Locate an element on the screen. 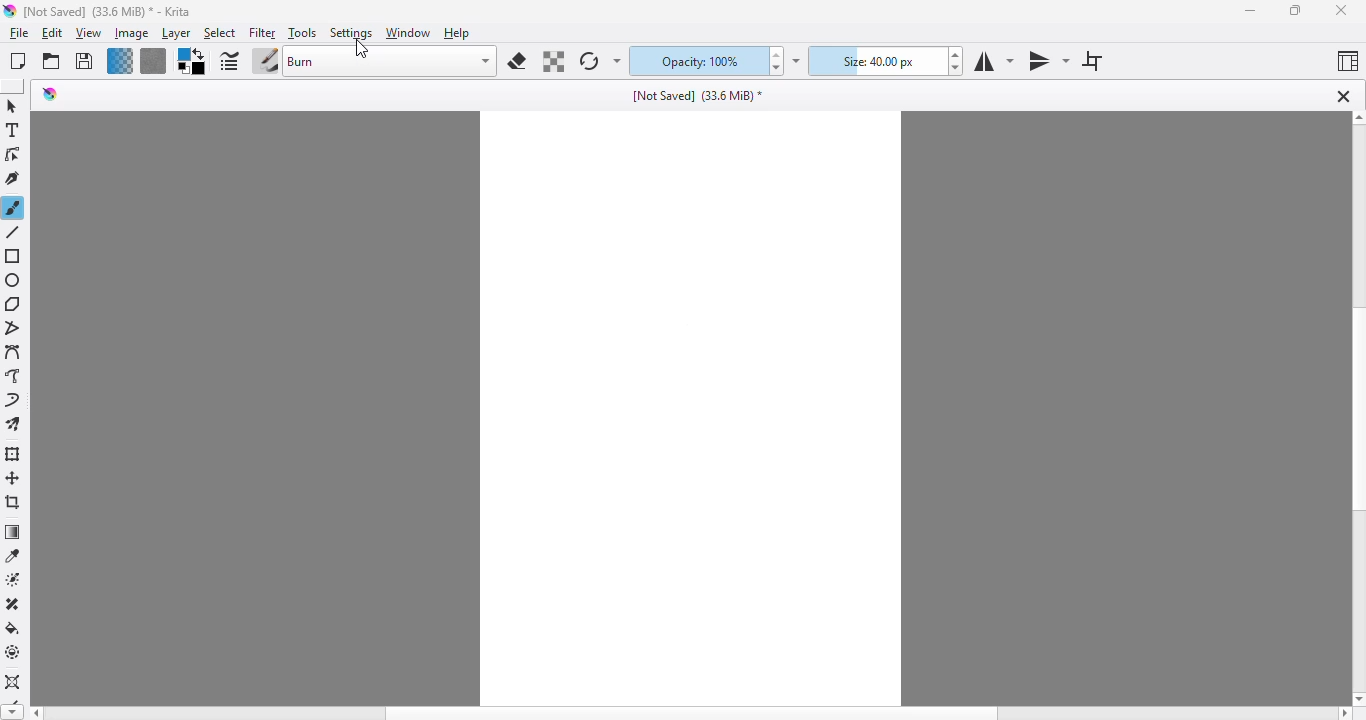 Image resolution: width=1366 pixels, height=720 pixels. save is located at coordinates (84, 61).